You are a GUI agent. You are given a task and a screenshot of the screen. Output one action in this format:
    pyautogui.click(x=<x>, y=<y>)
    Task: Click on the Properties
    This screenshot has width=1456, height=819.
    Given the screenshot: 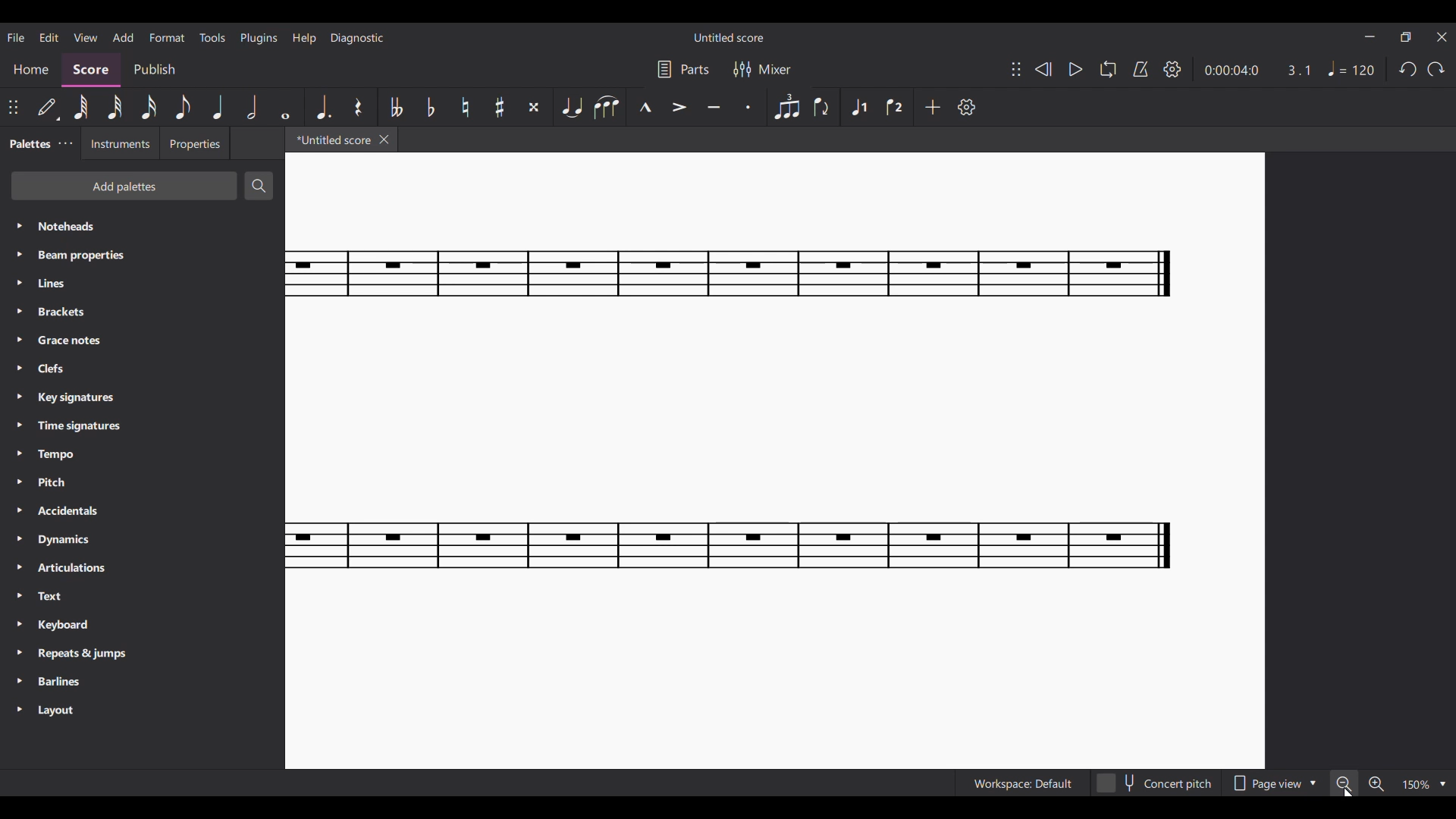 What is the action you would take?
    pyautogui.click(x=196, y=143)
    